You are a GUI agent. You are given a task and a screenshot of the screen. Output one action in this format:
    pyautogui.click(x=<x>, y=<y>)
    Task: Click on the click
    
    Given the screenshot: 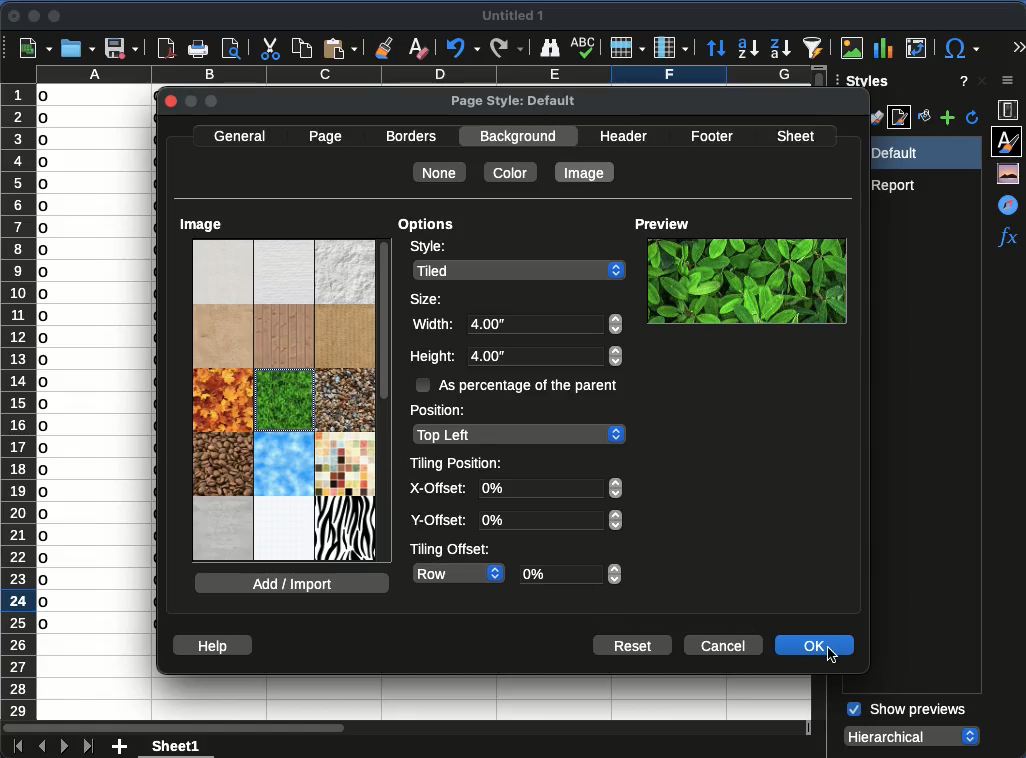 What is the action you would take?
    pyautogui.click(x=835, y=660)
    